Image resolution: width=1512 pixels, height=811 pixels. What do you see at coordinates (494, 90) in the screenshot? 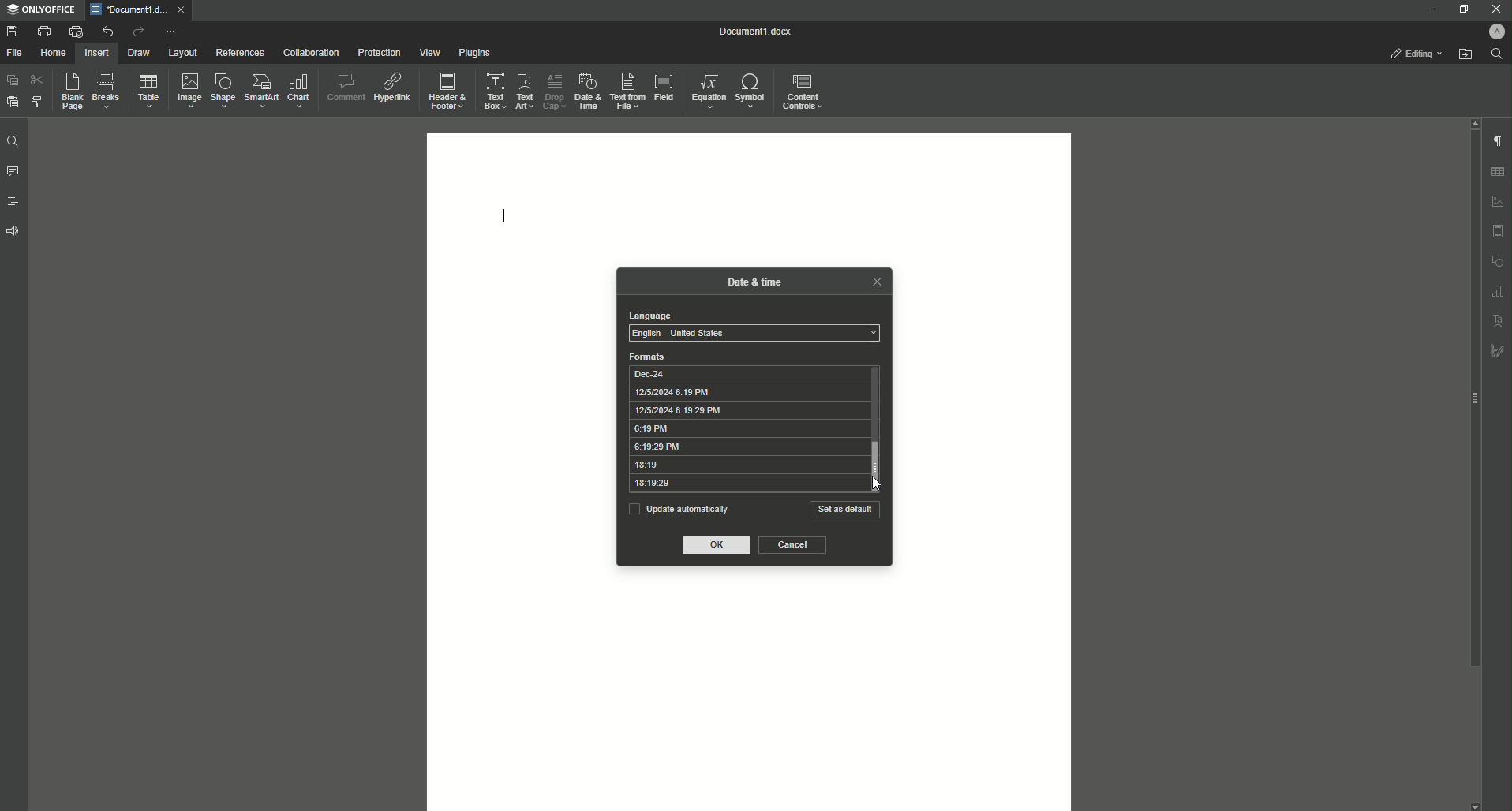
I see `Text Box` at bounding box center [494, 90].